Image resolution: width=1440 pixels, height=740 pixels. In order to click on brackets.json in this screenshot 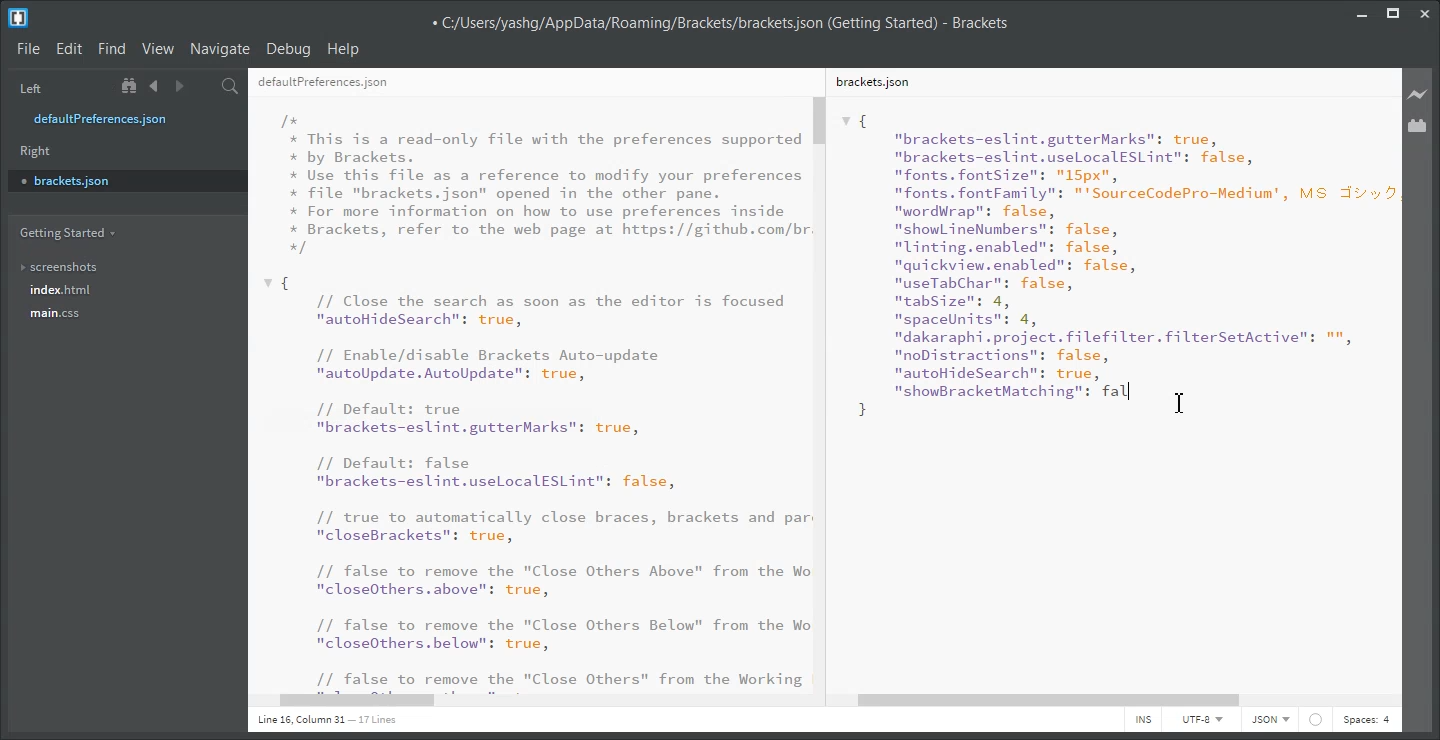, I will do `click(125, 180)`.